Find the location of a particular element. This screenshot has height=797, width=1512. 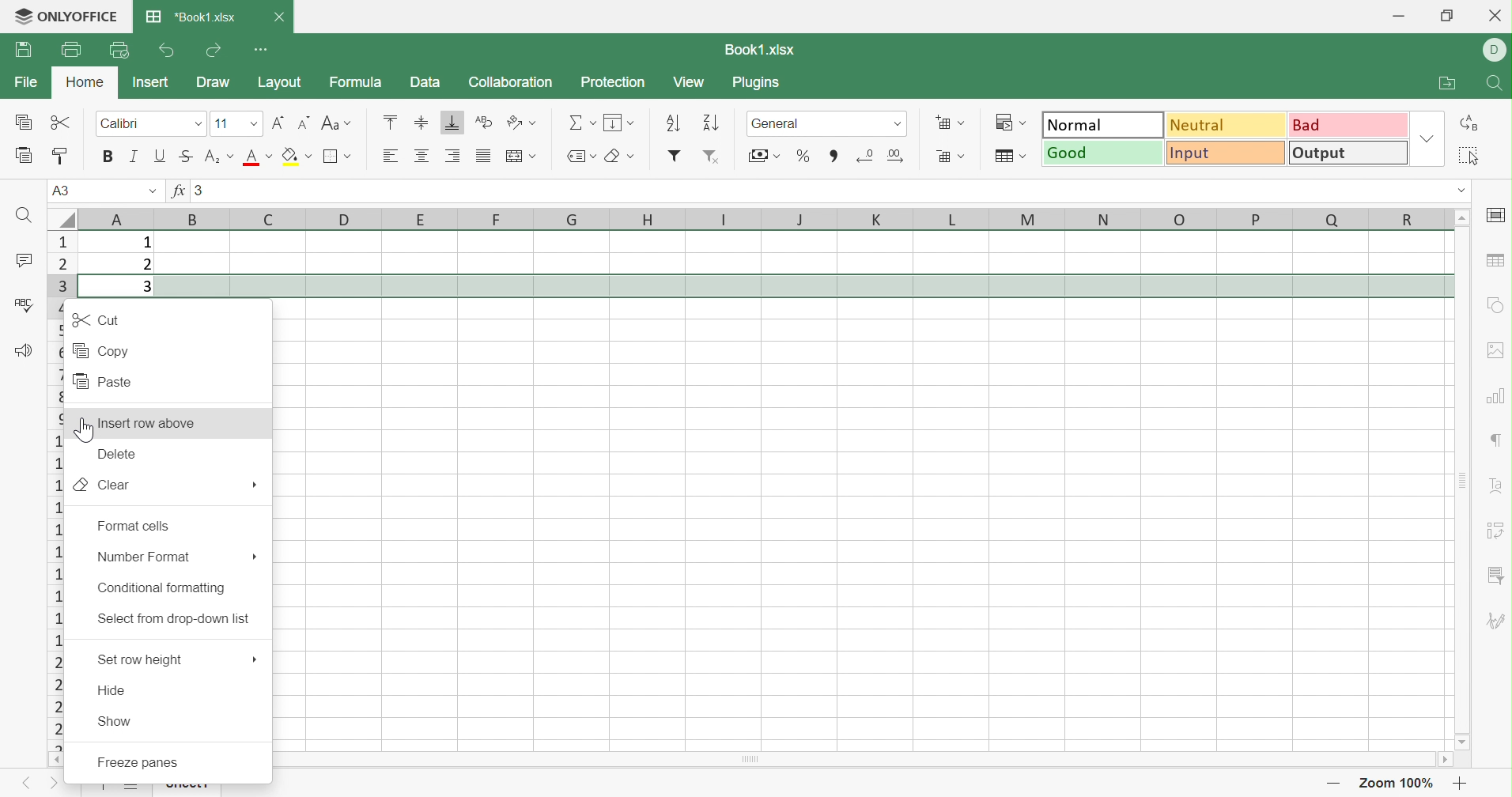

Close is located at coordinates (279, 15).